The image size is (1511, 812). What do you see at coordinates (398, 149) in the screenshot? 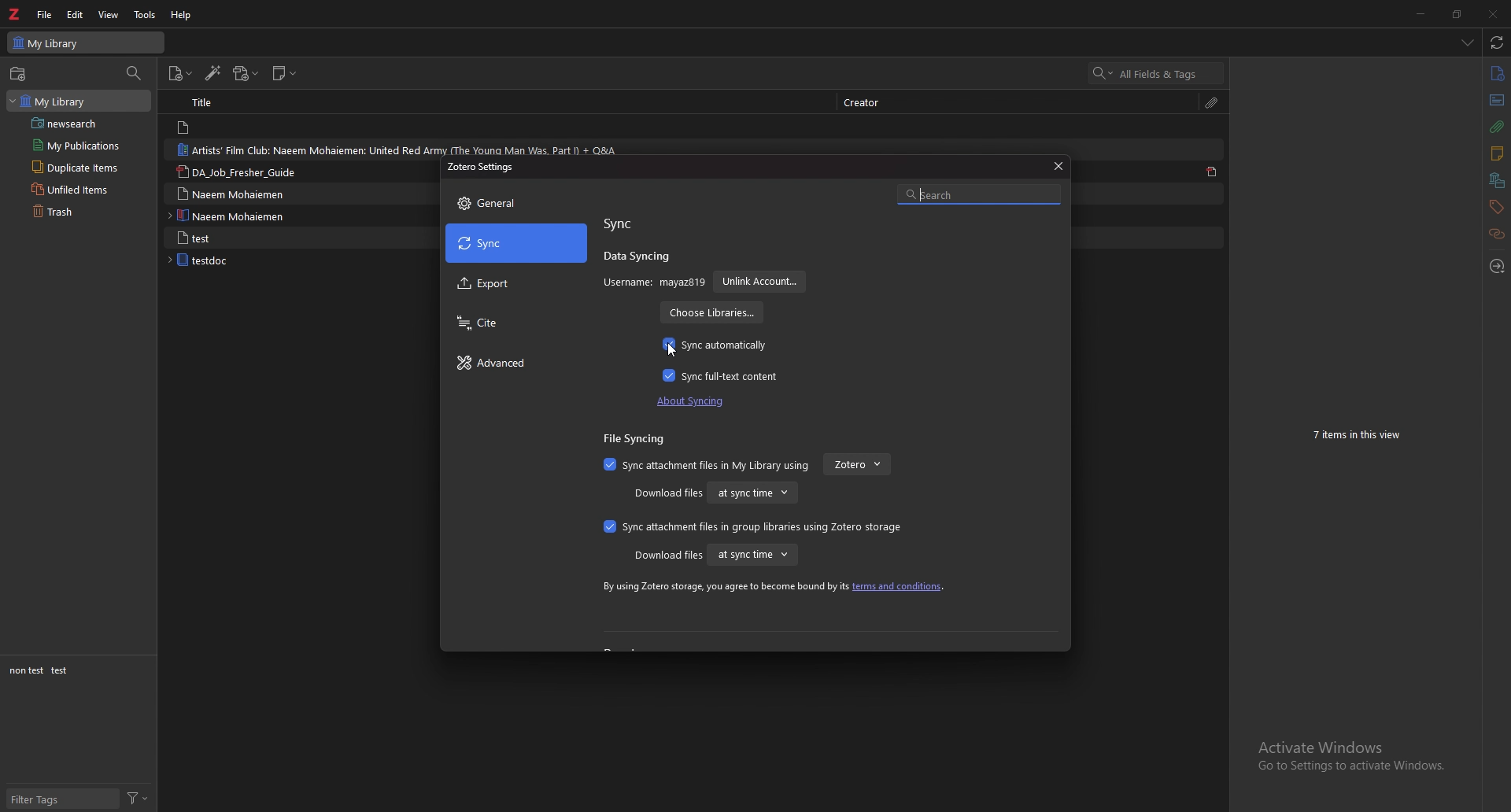
I see `Artists' film club: Naeem Mohaiemen: United Red Army (The Young man was, part I) + Q&A` at bounding box center [398, 149].